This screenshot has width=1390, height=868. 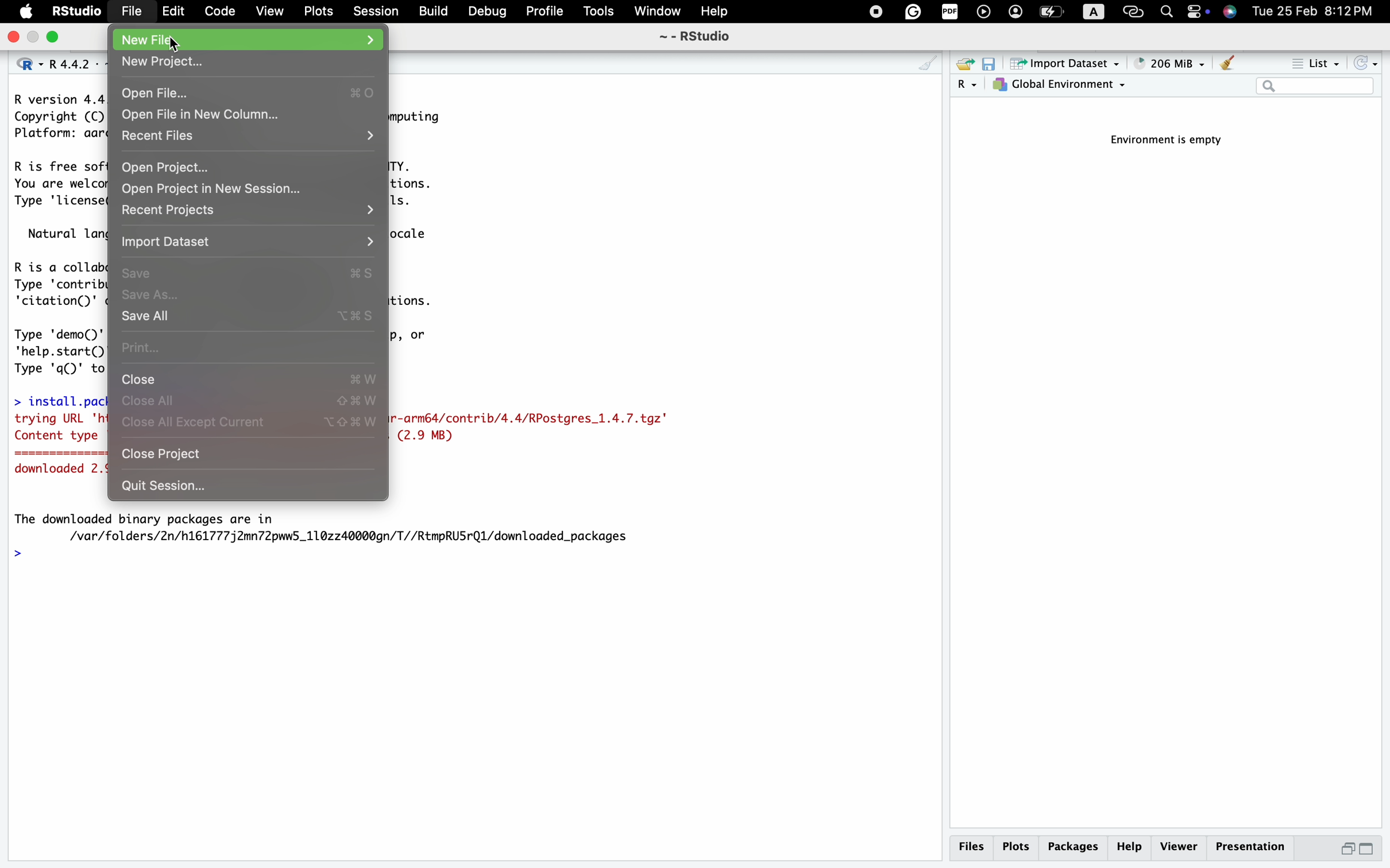 I want to click on toggle, so click(x=1198, y=13).